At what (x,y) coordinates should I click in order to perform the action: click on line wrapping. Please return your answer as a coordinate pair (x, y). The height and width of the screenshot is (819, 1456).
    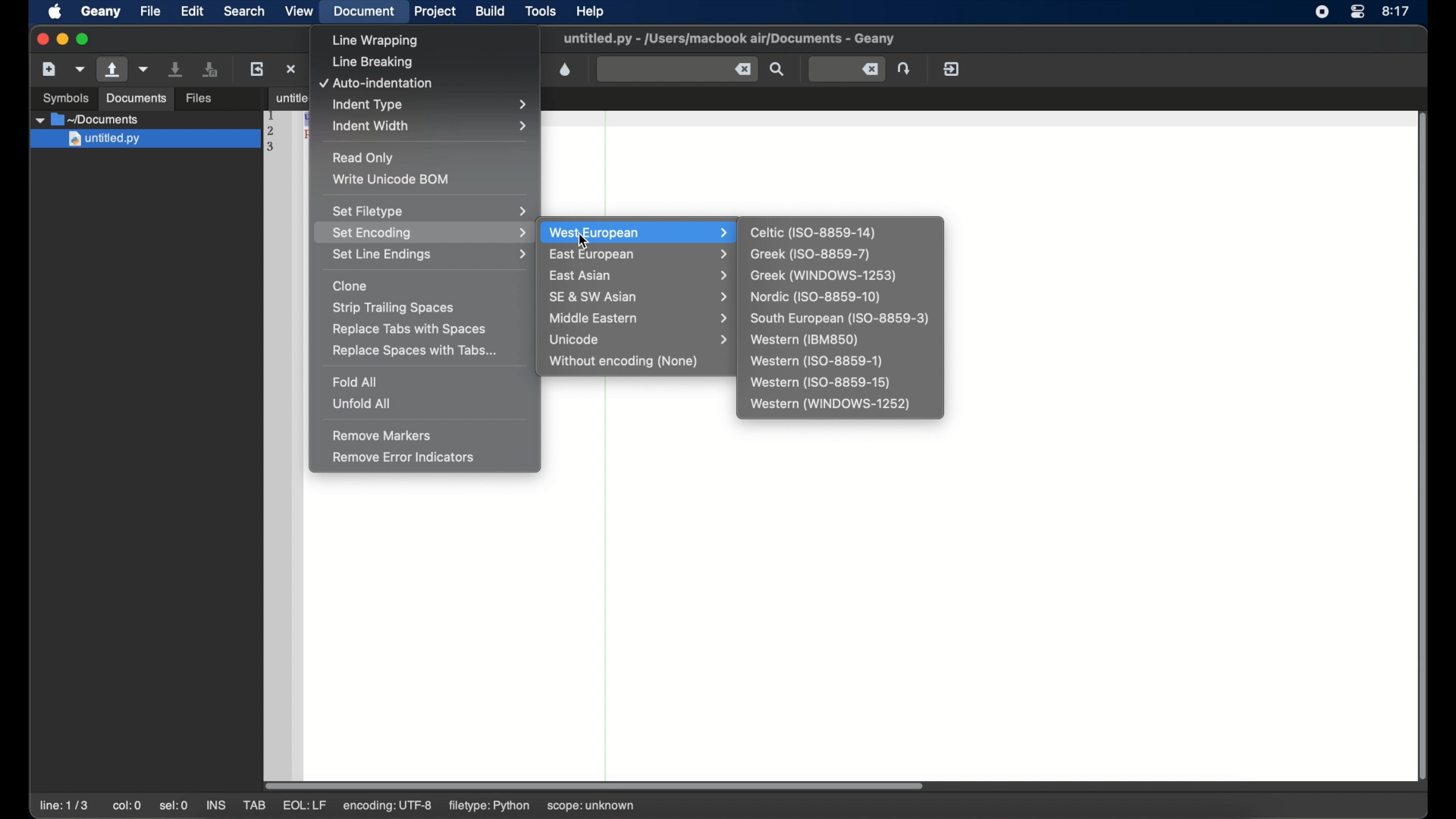
    Looking at the image, I should click on (377, 41).